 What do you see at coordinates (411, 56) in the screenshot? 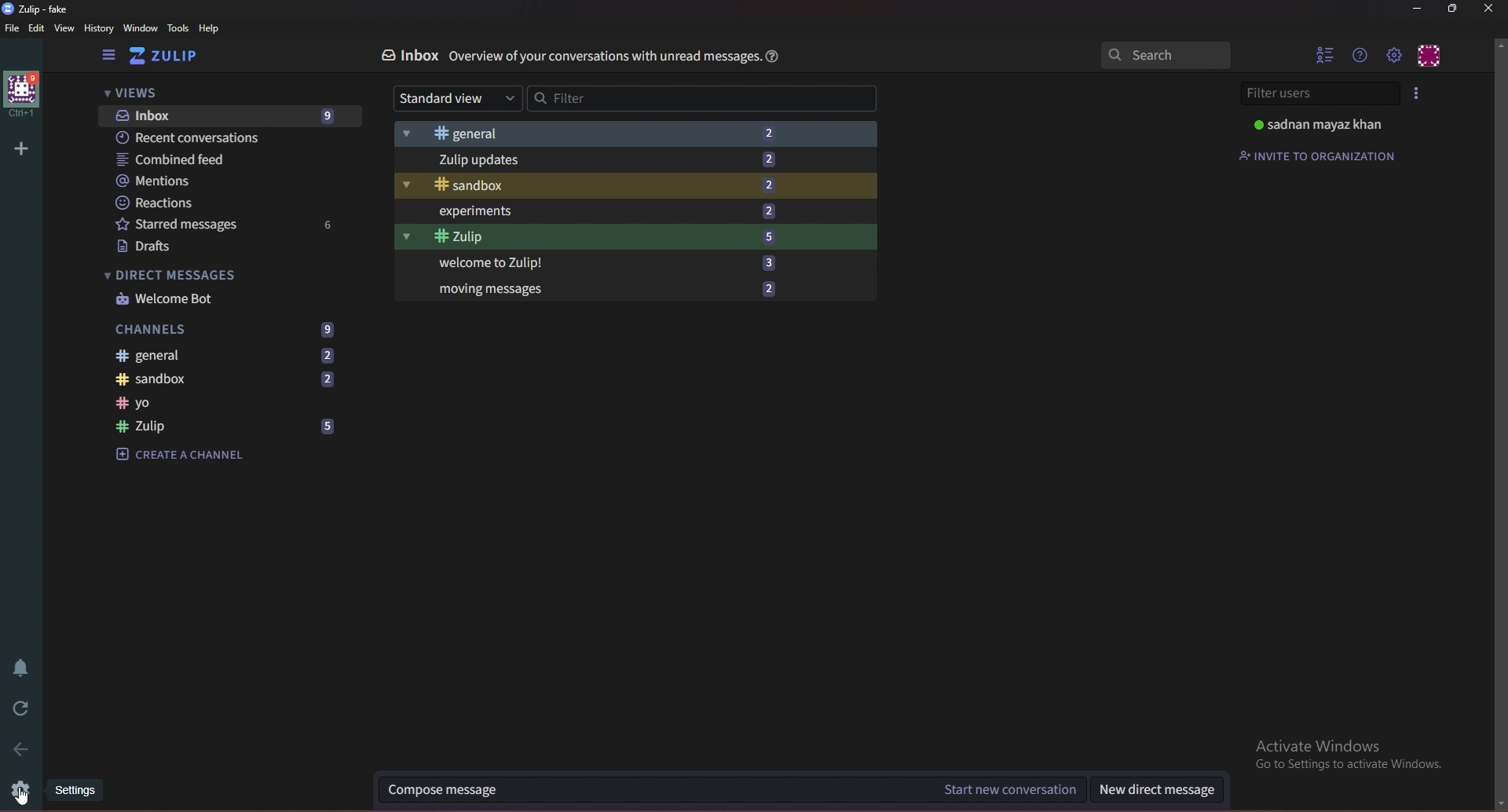
I see `Inbox` at bounding box center [411, 56].